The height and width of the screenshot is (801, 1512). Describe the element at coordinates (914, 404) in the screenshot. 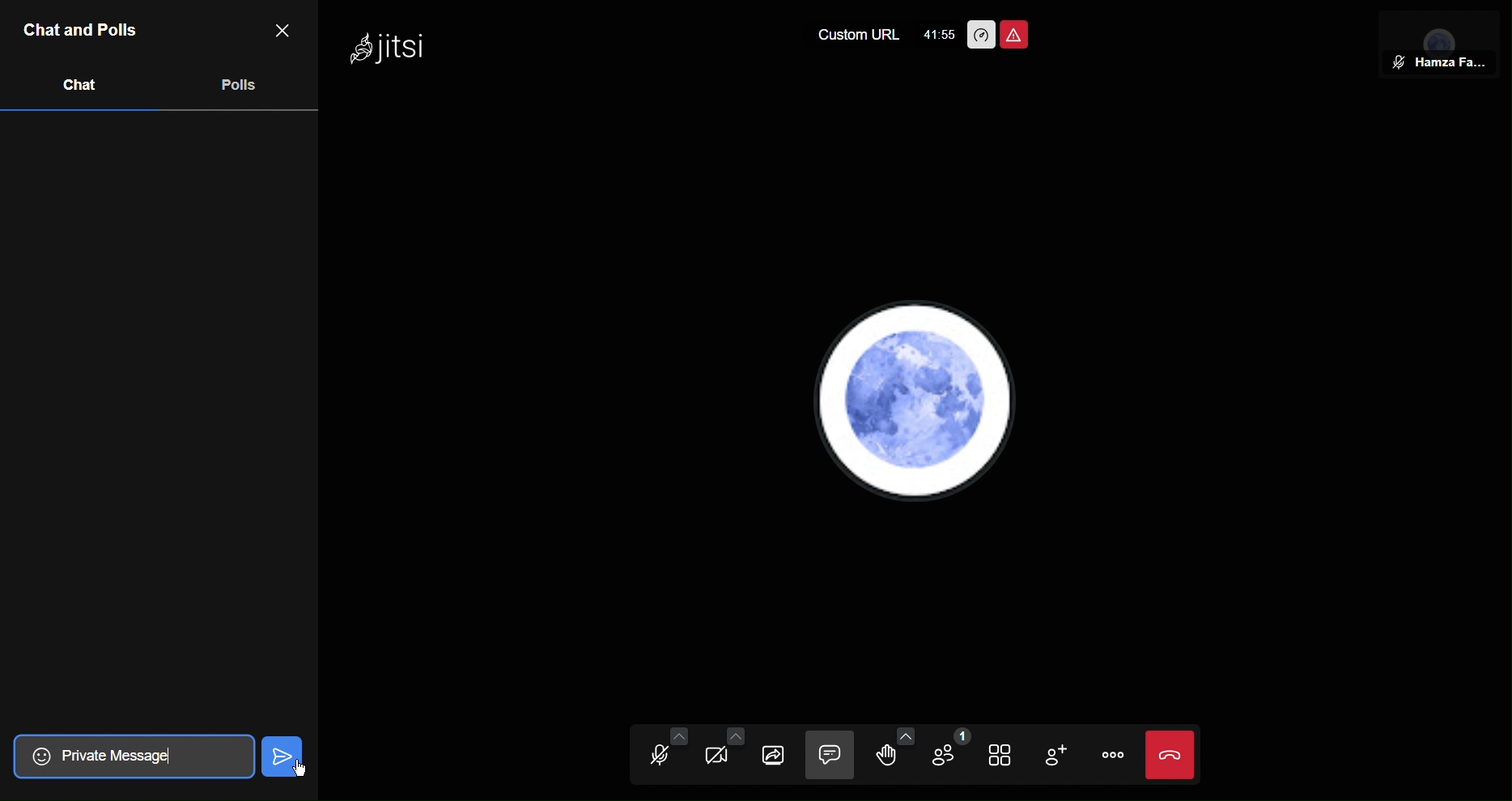

I see `Account Profile picture` at that location.